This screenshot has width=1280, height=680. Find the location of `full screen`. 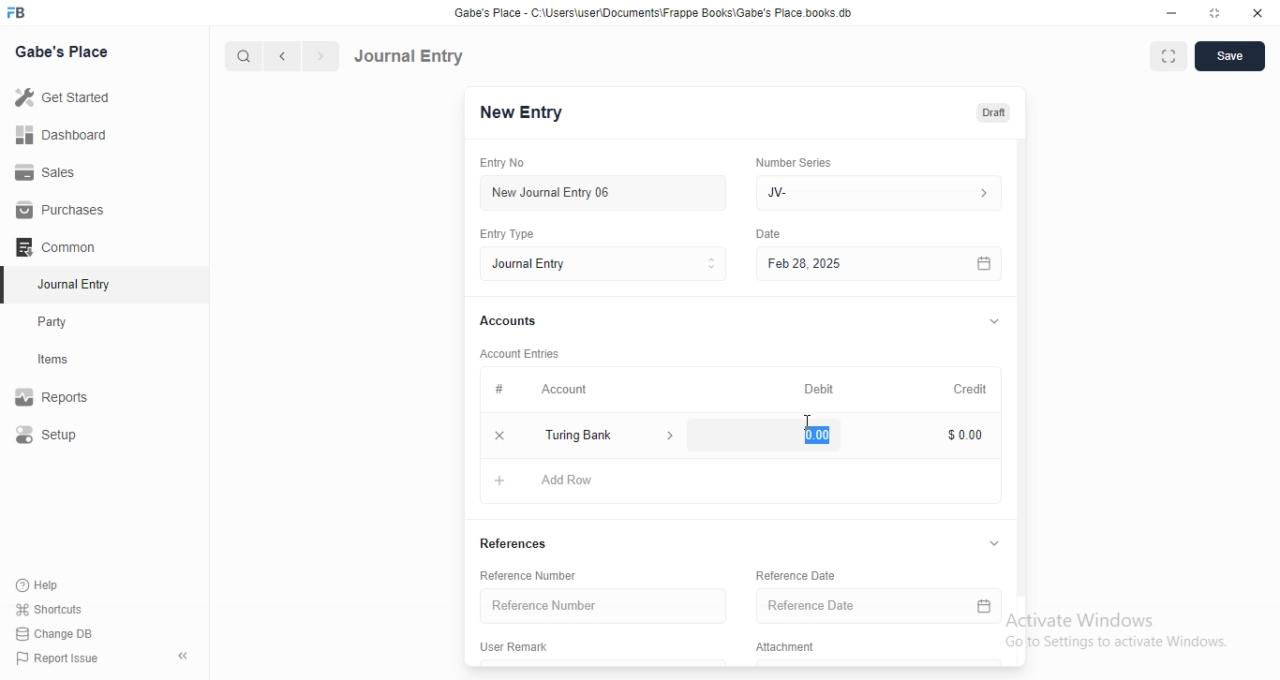

full screen is located at coordinates (1172, 57).